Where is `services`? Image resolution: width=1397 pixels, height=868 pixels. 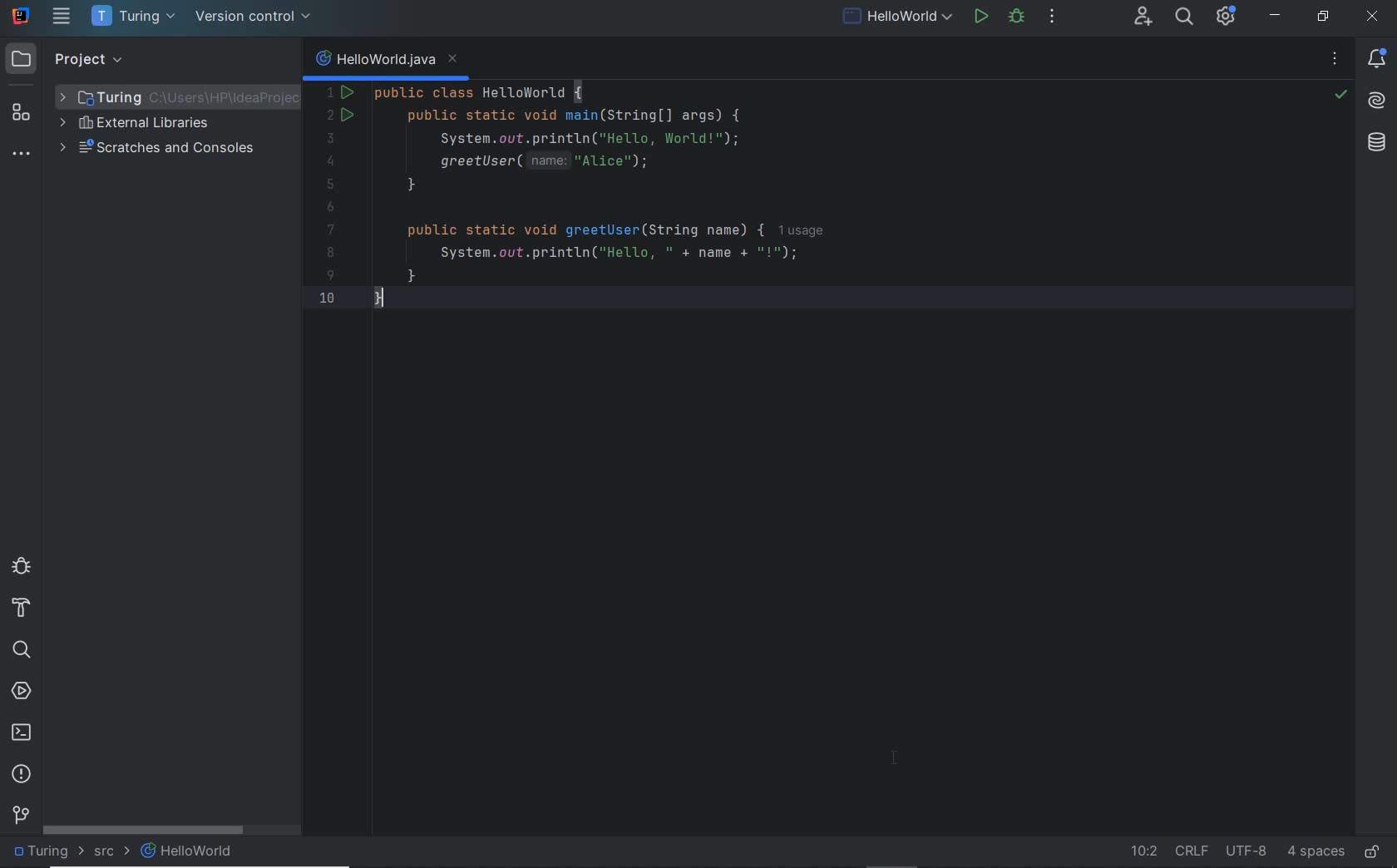 services is located at coordinates (22, 693).